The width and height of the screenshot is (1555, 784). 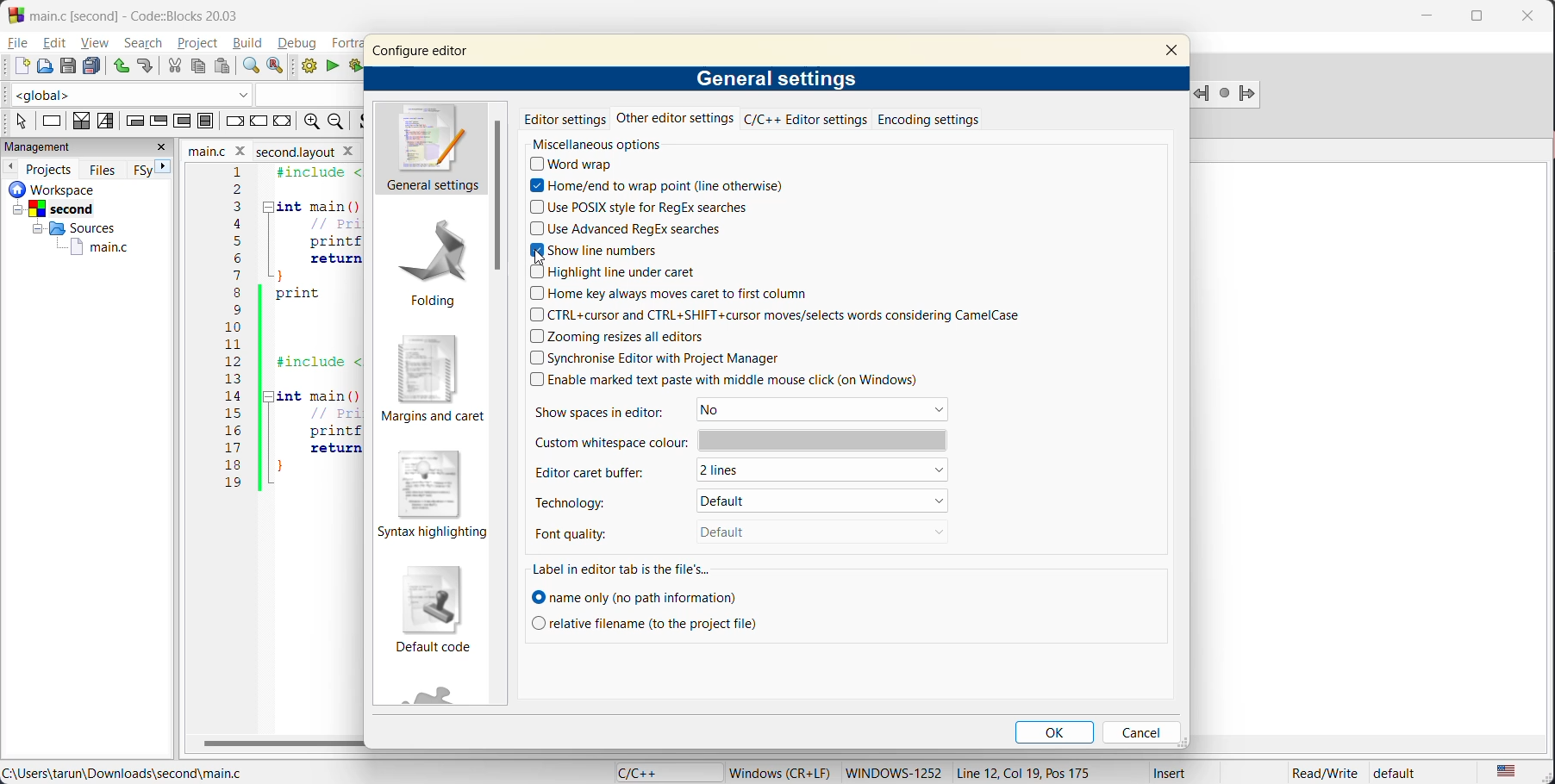 What do you see at coordinates (1226, 94) in the screenshot?
I see `last jump` at bounding box center [1226, 94].